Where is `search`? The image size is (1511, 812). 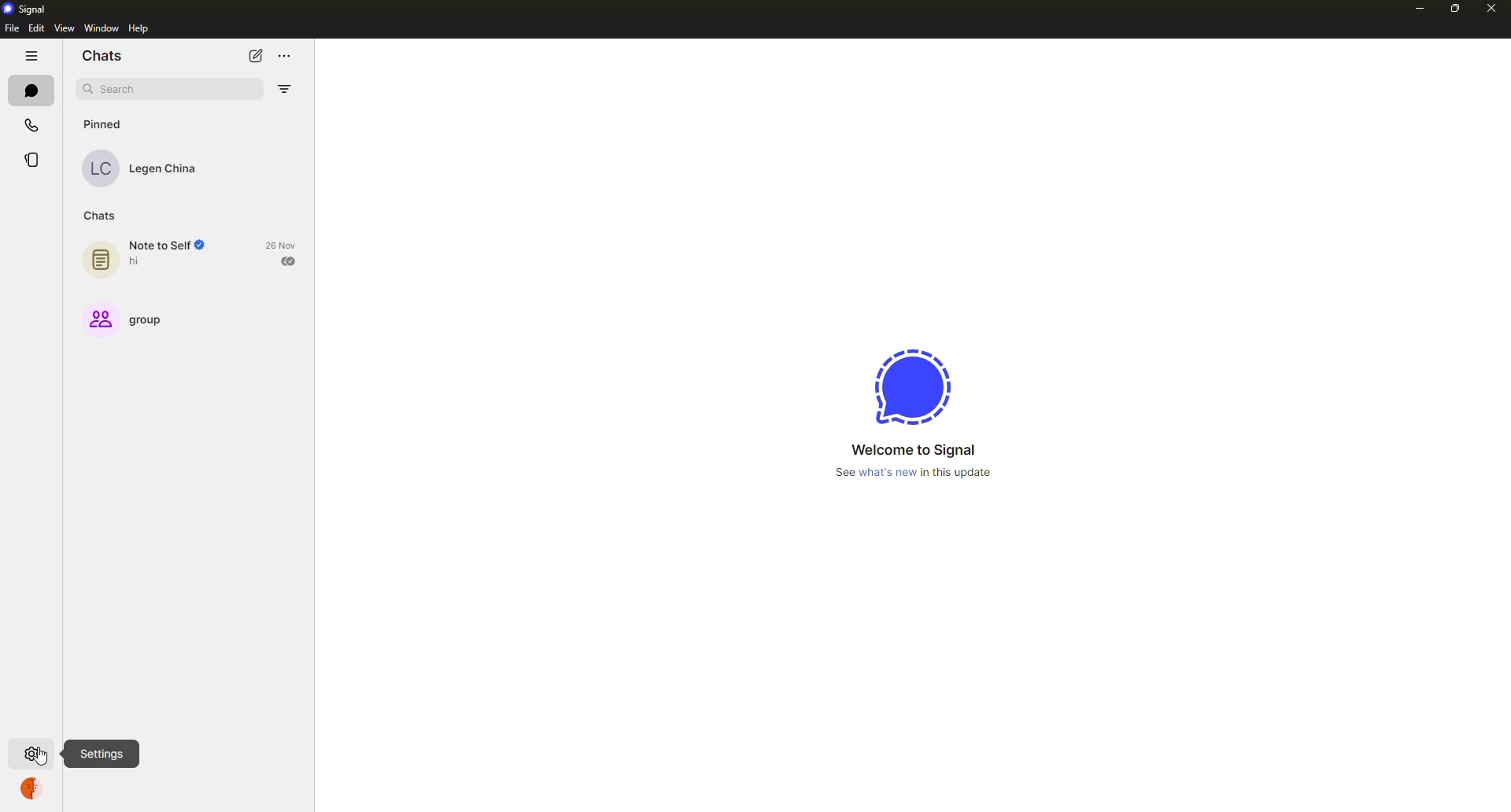 search is located at coordinates (116, 90).